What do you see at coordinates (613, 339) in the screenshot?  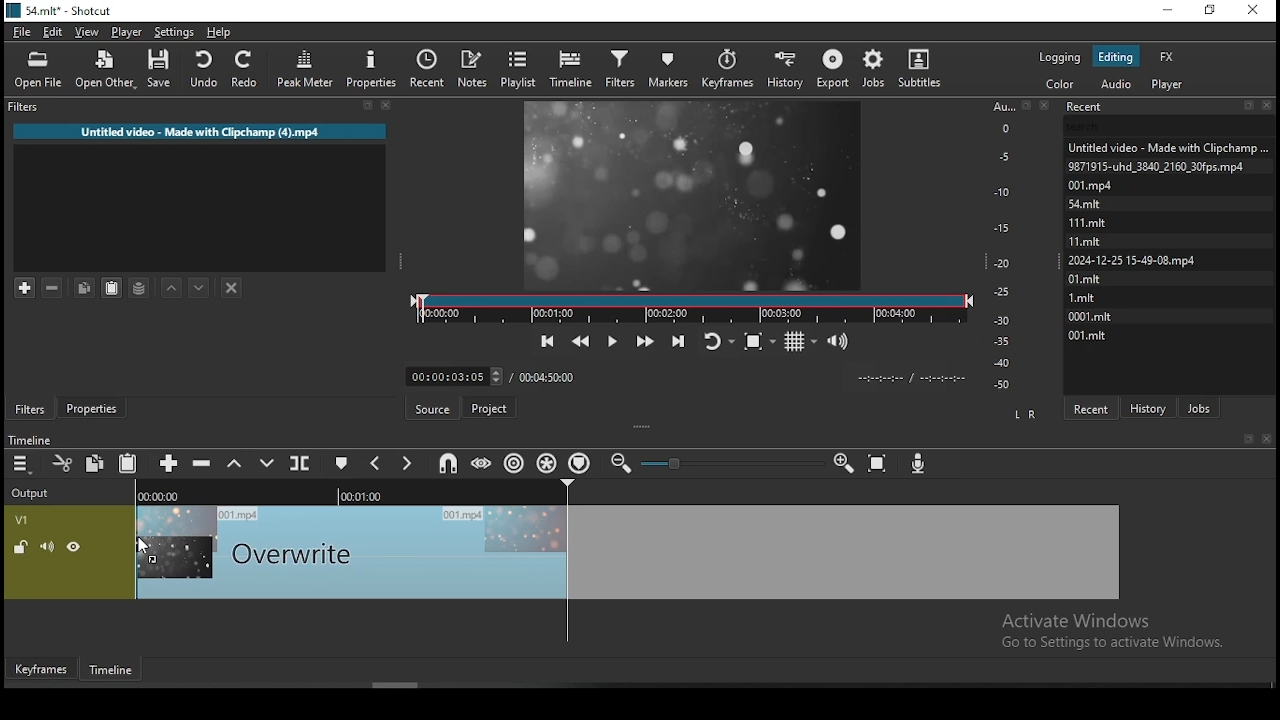 I see `play/pause` at bounding box center [613, 339].